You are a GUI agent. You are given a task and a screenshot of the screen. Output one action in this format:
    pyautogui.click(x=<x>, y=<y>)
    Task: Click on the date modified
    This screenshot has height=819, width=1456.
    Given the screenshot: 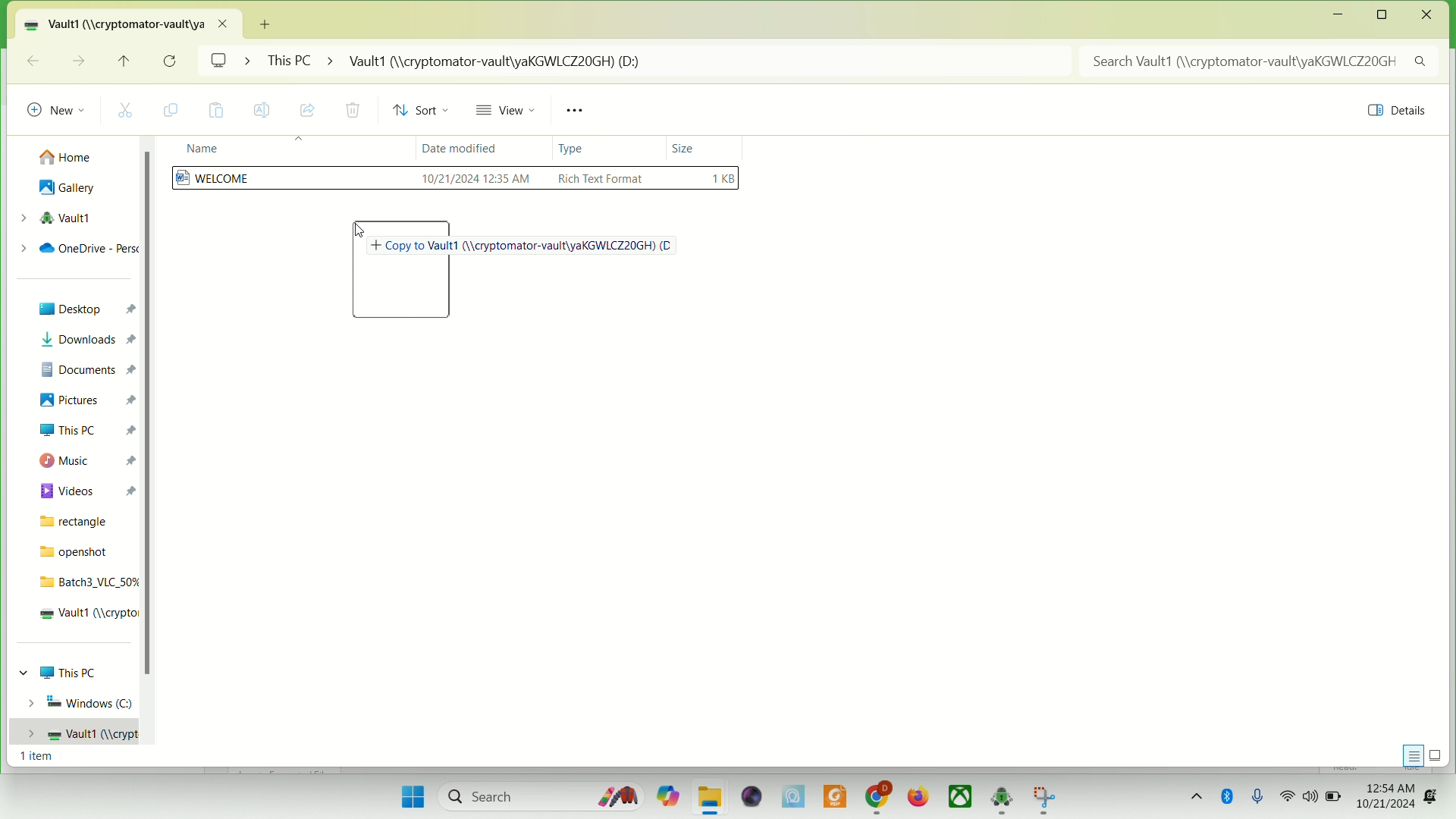 What is the action you would take?
    pyautogui.click(x=457, y=144)
    